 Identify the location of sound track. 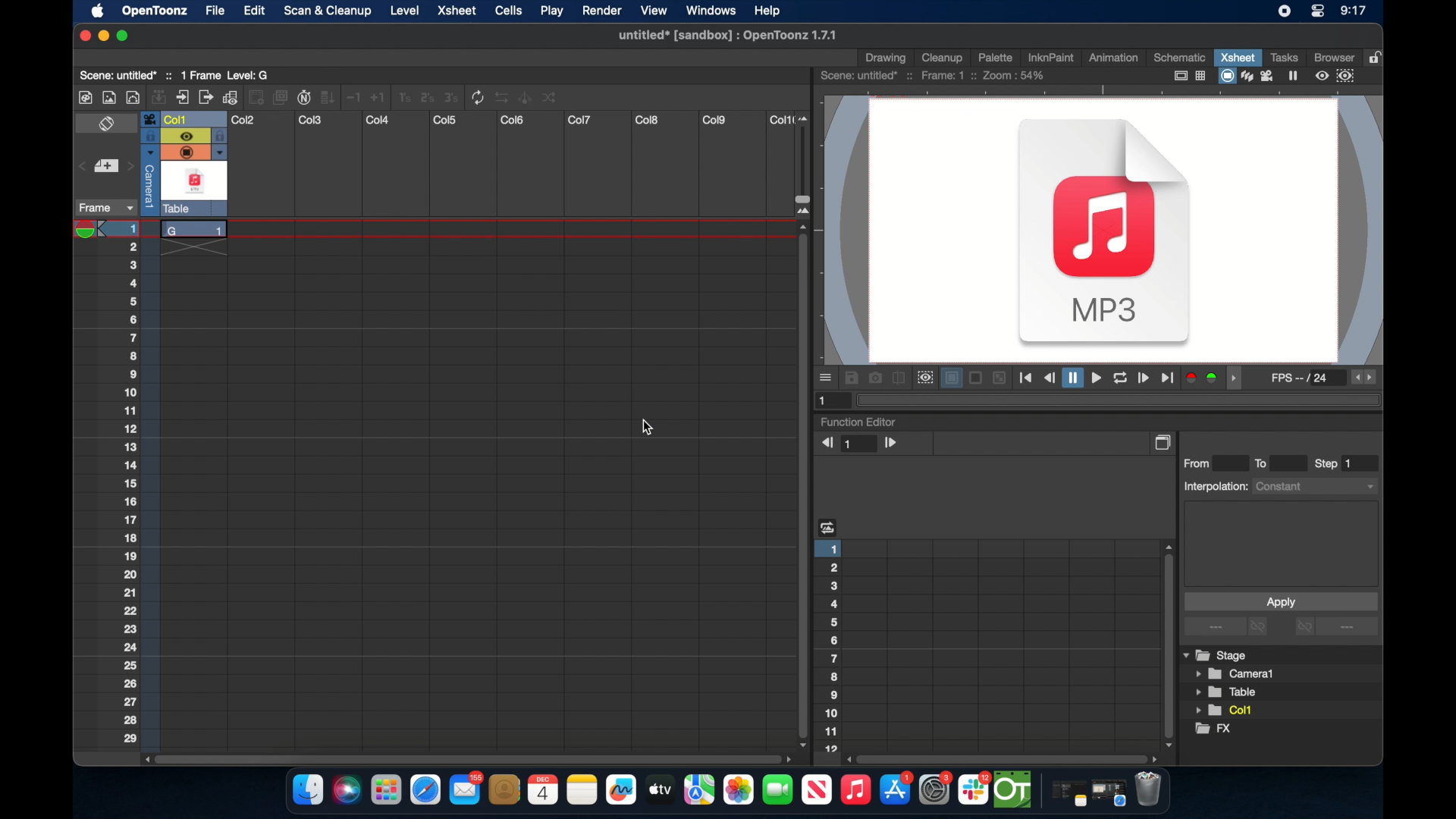
(194, 173).